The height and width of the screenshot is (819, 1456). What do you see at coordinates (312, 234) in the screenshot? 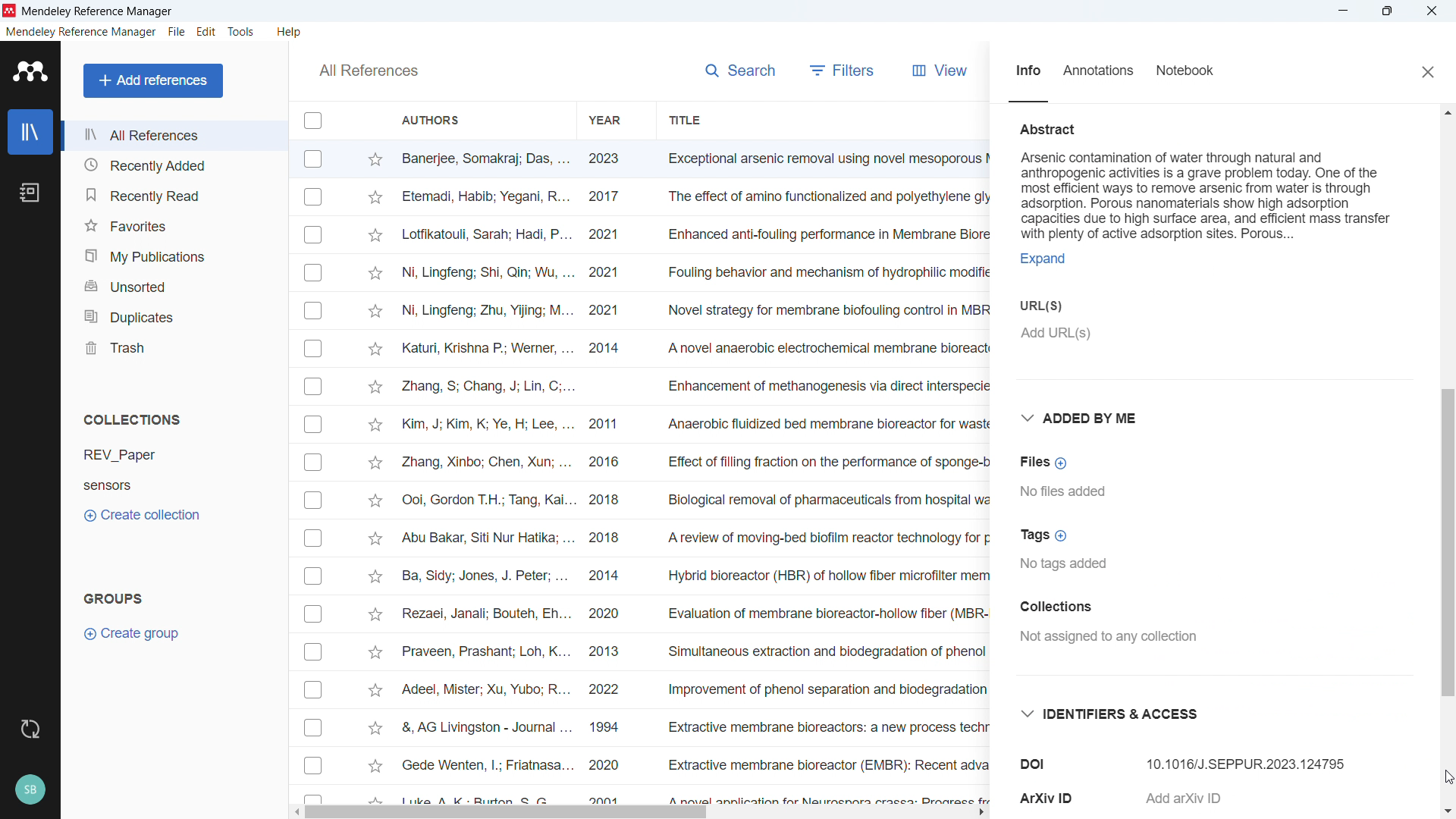
I see `click to select individual entry` at bounding box center [312, 234].